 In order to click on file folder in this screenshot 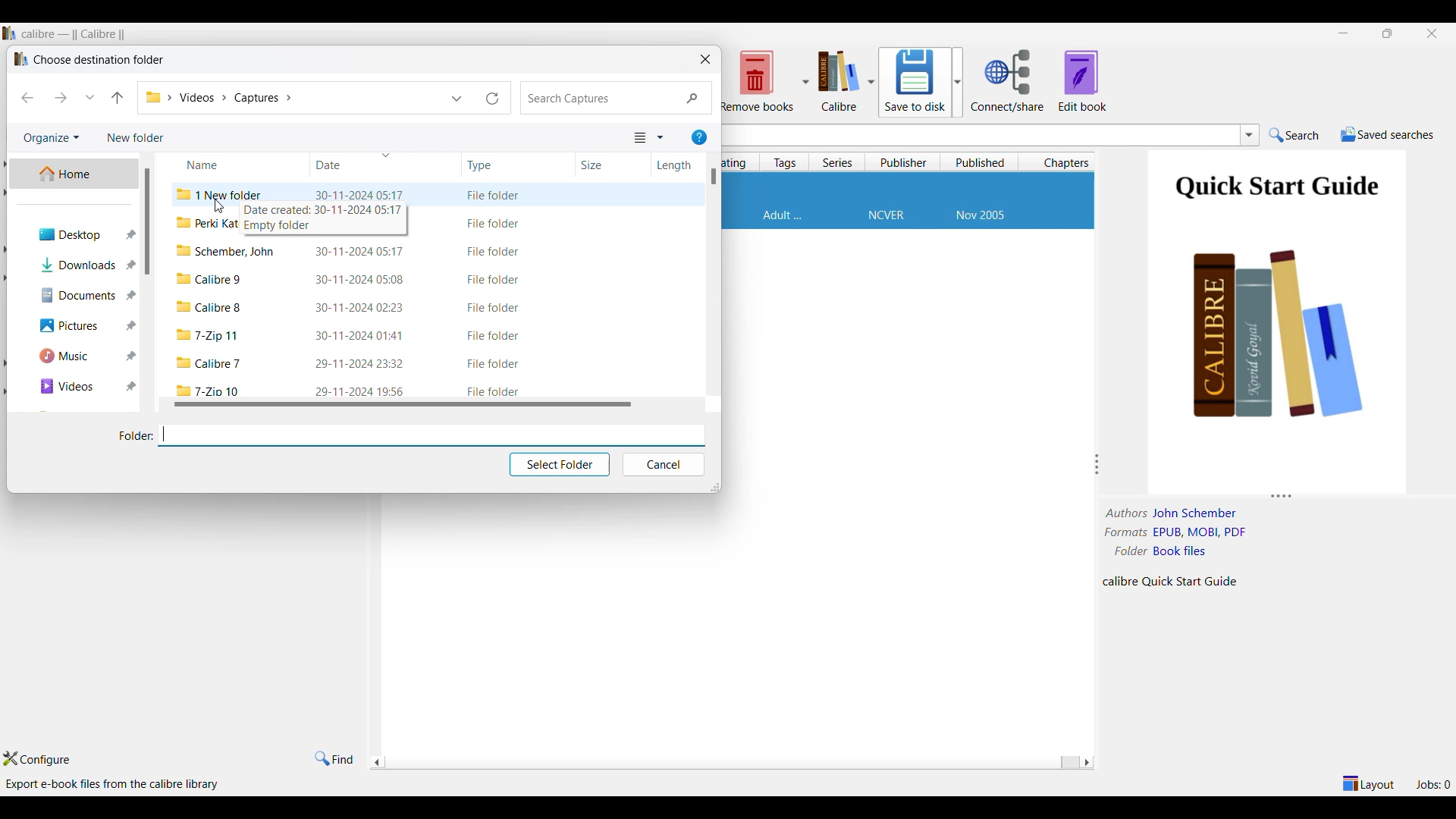, I will do `click(493, 365)`.